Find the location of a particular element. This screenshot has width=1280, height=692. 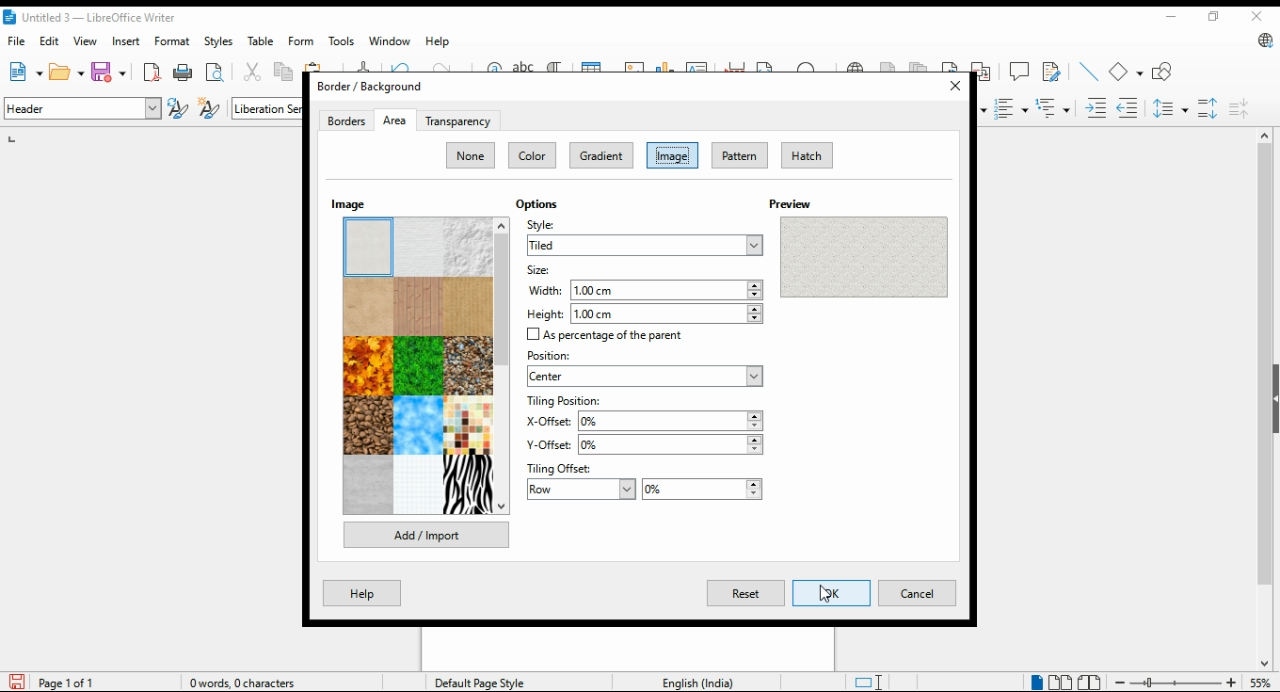

add/import is located at coordinates (427, 535).